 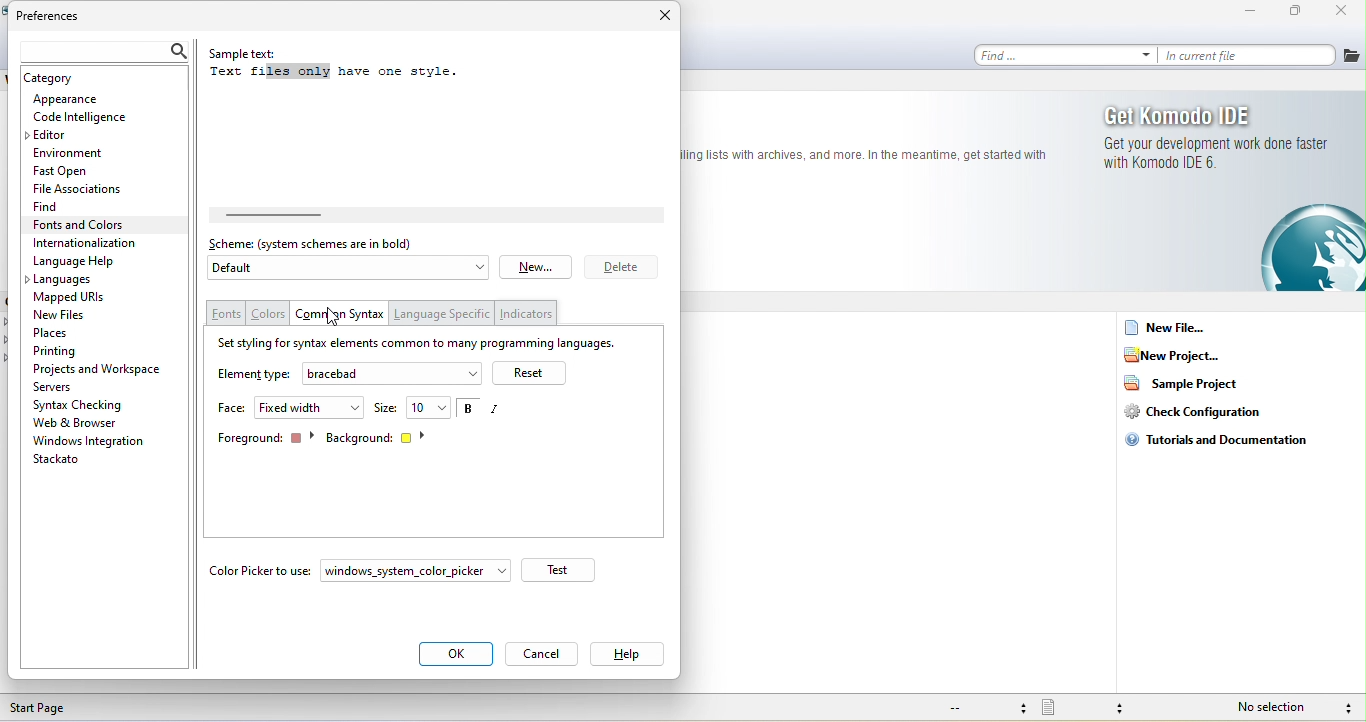 I want to click on close, so click(x=661, y=13).